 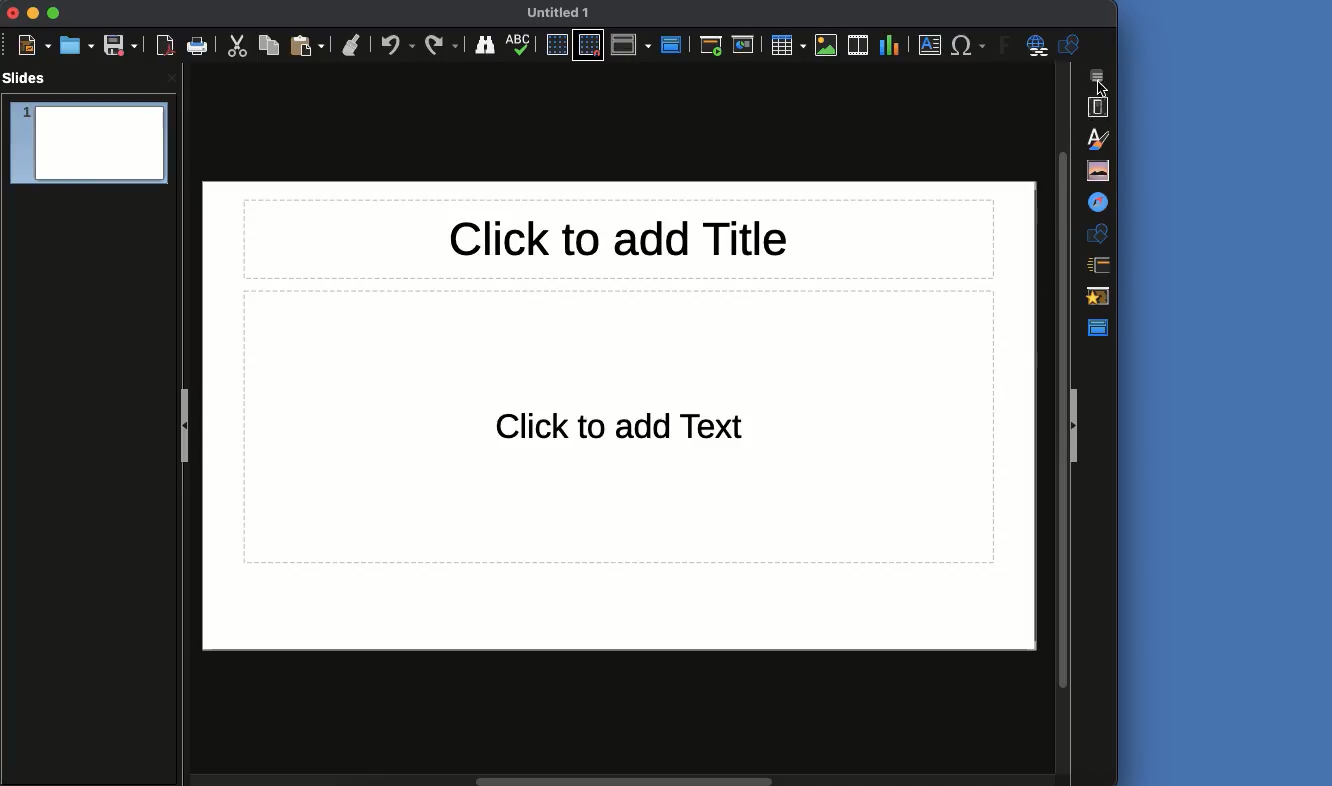 What do you see at coordinates (35, 14) in the screenshot?
I see `Minimize` at bounding box center [35, 14].